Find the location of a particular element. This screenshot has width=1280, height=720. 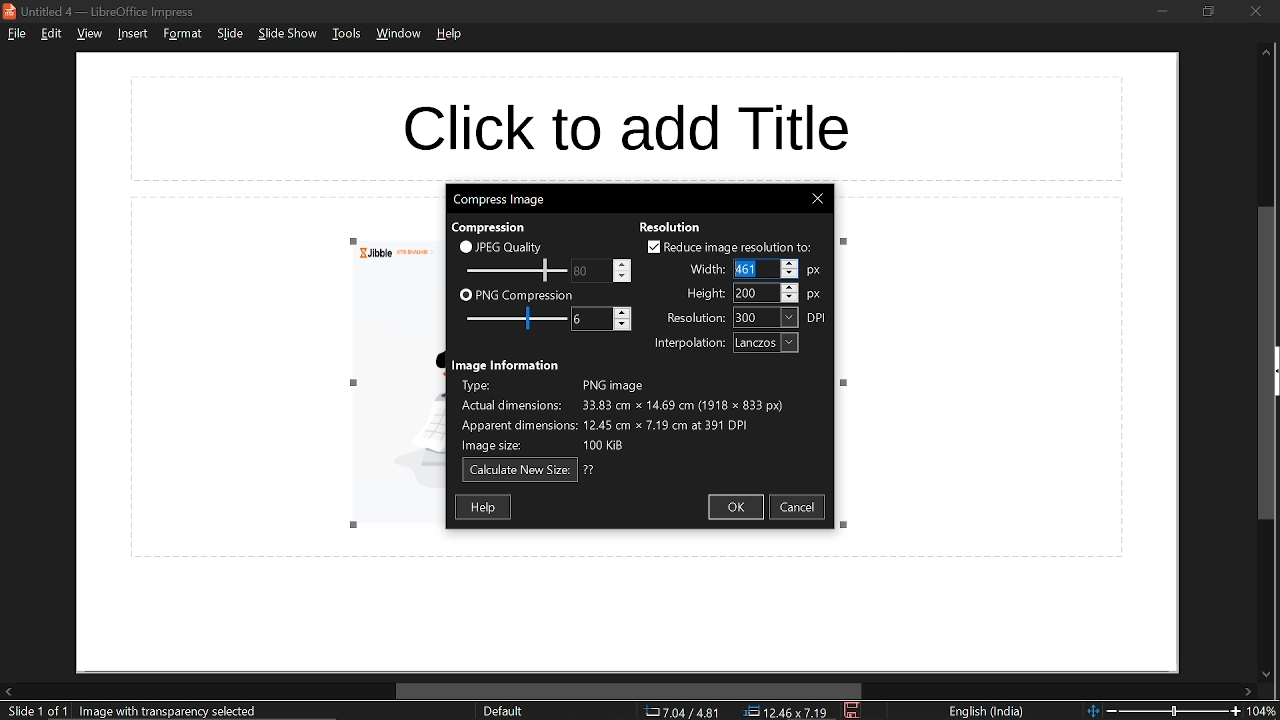

slide show is located at coordinates (288, 36).